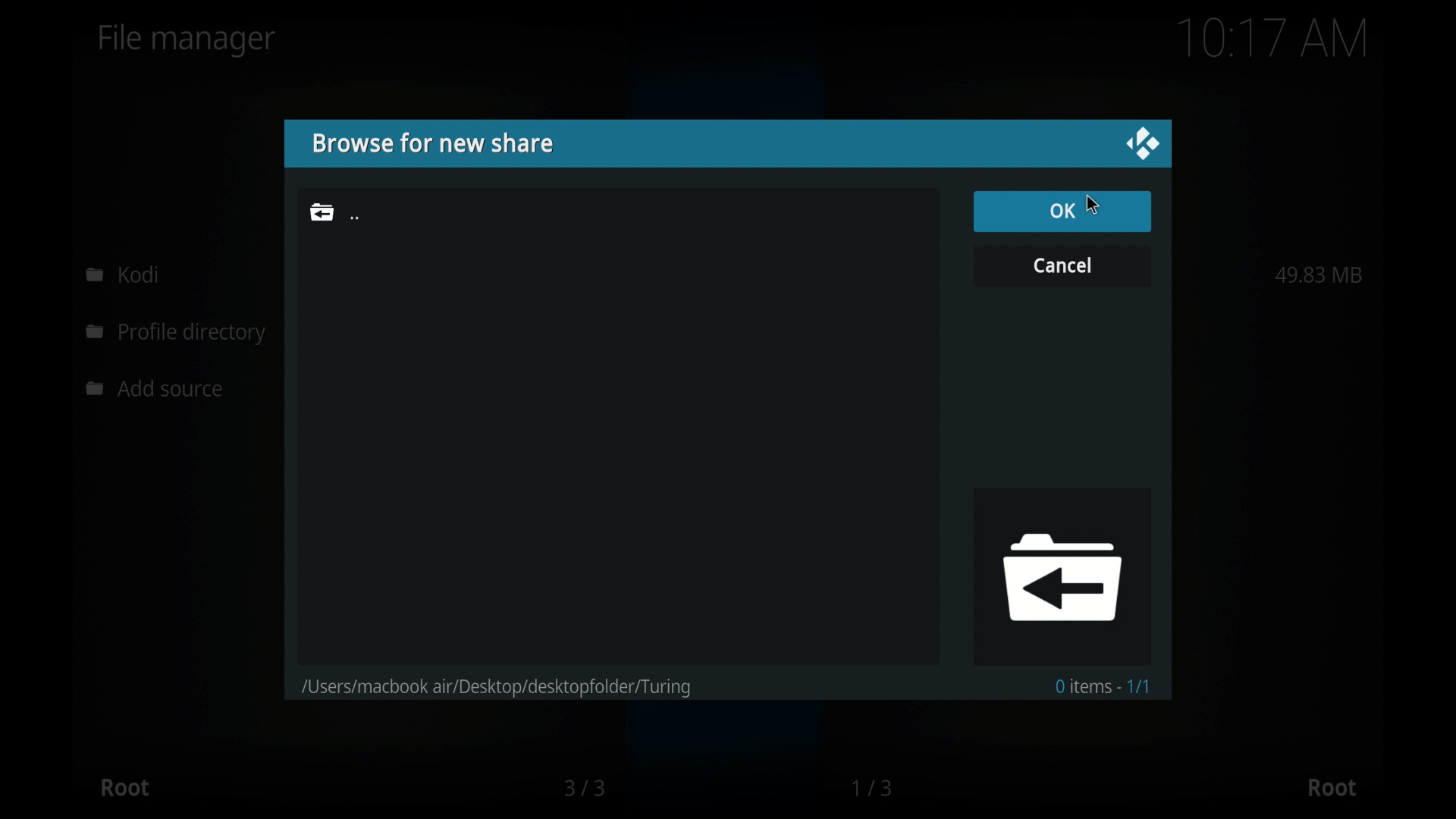 The image size is (1456, 819). I want to click on cursor, so click(1093, 204).